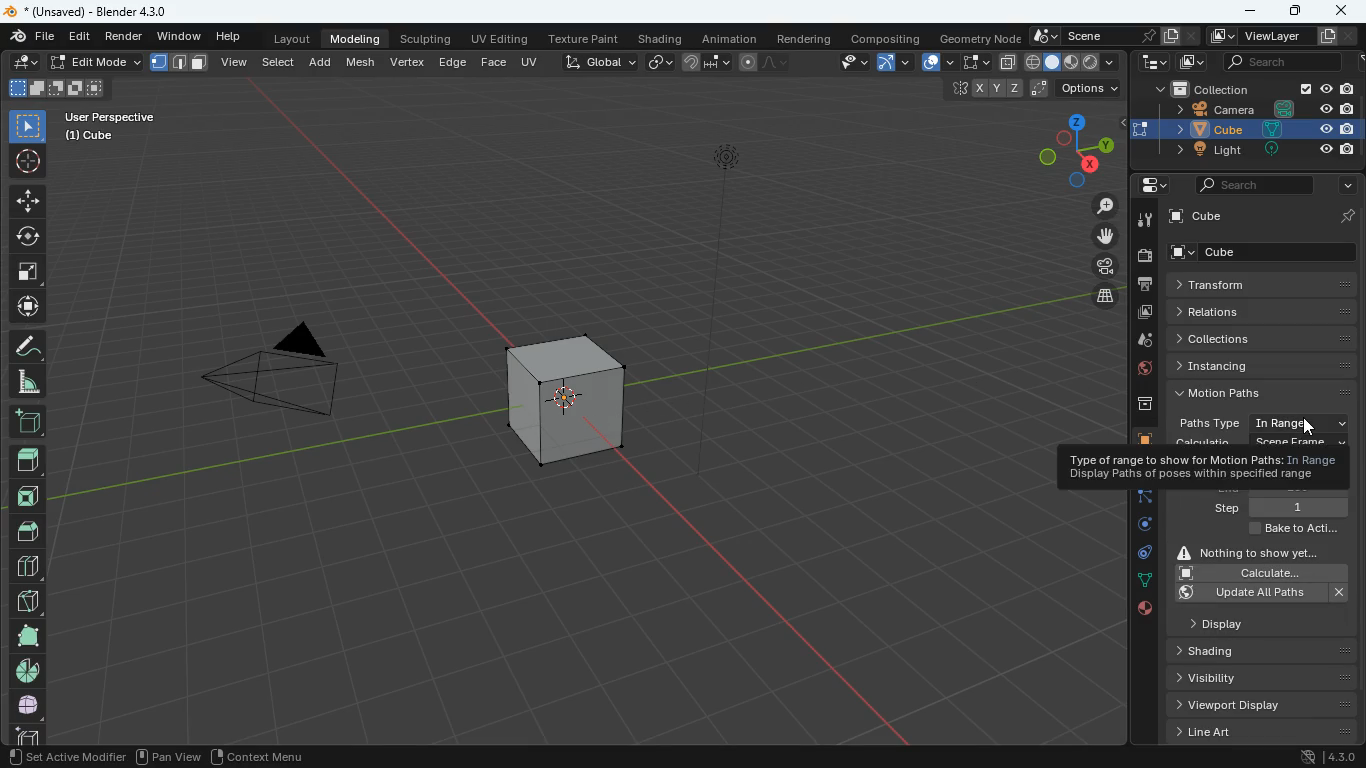  I want to click on globe, so click(1140, 371).